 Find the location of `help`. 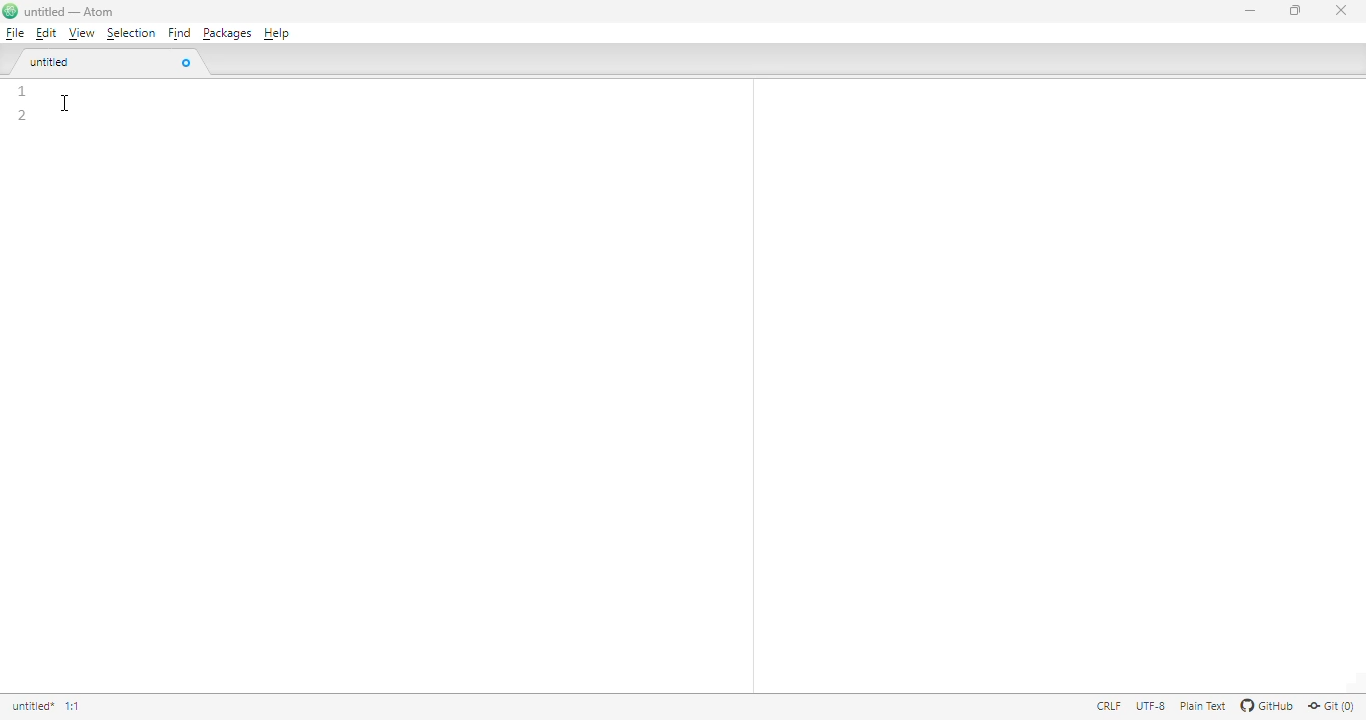

help is located at coordinates (276, 34).